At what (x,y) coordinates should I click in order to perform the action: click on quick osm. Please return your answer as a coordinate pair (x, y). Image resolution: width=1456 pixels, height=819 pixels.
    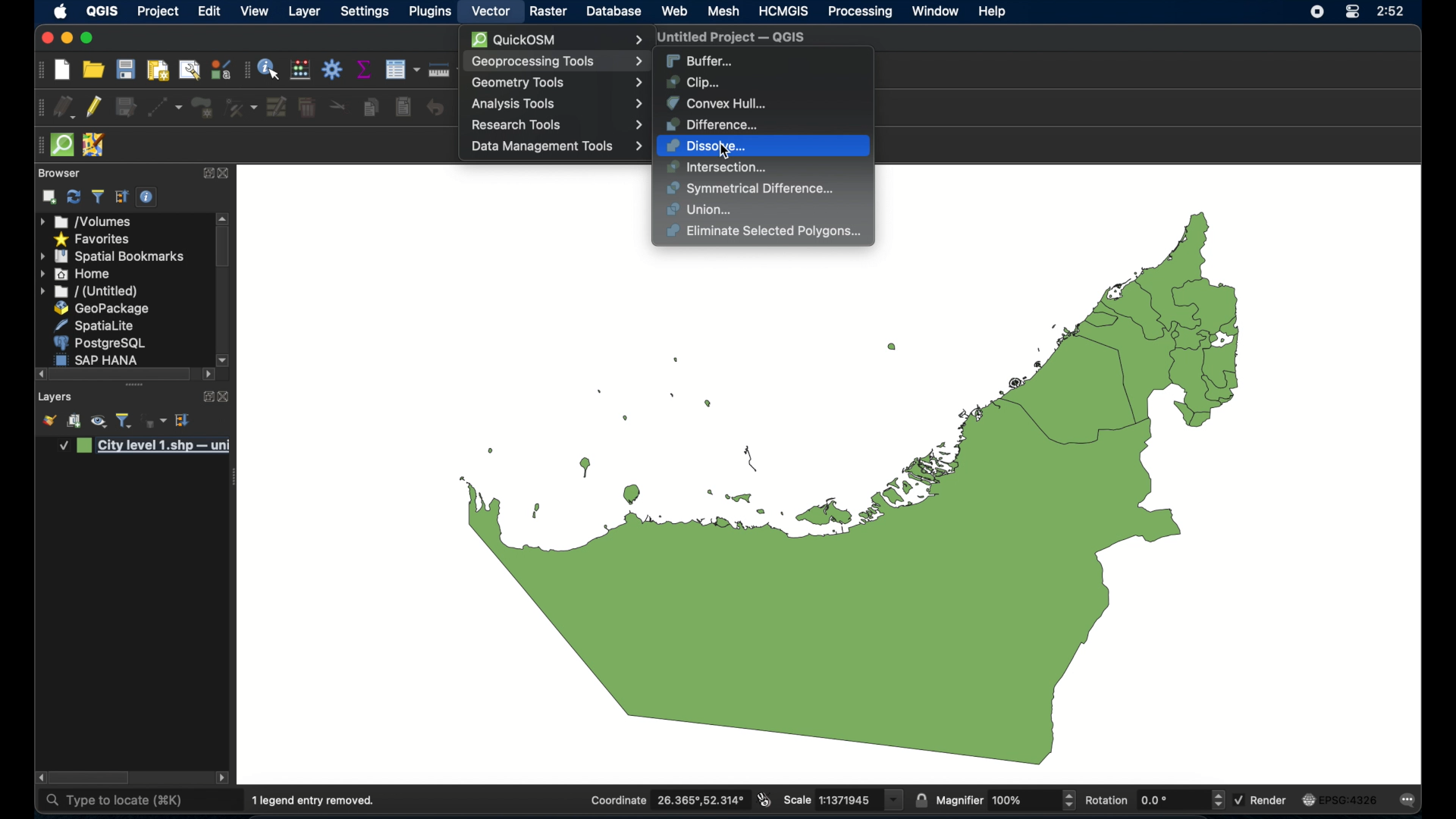
    Looking at the image, I should click on (61, 145).